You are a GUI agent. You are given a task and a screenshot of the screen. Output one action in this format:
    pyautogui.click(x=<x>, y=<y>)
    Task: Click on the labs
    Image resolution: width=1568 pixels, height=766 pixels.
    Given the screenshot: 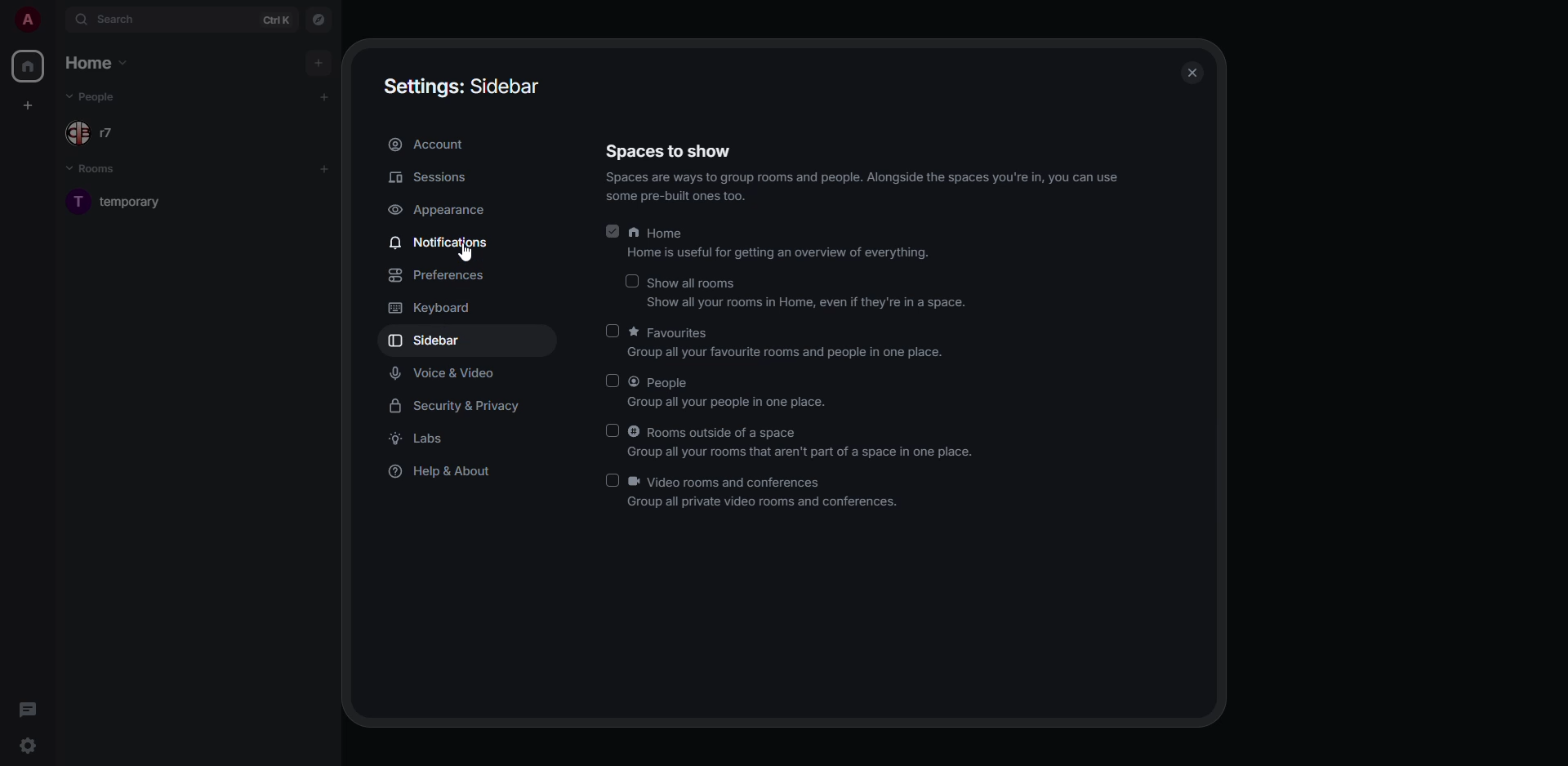 What is the action you would take?
    pyautogui.click(x=425, y=439)
    